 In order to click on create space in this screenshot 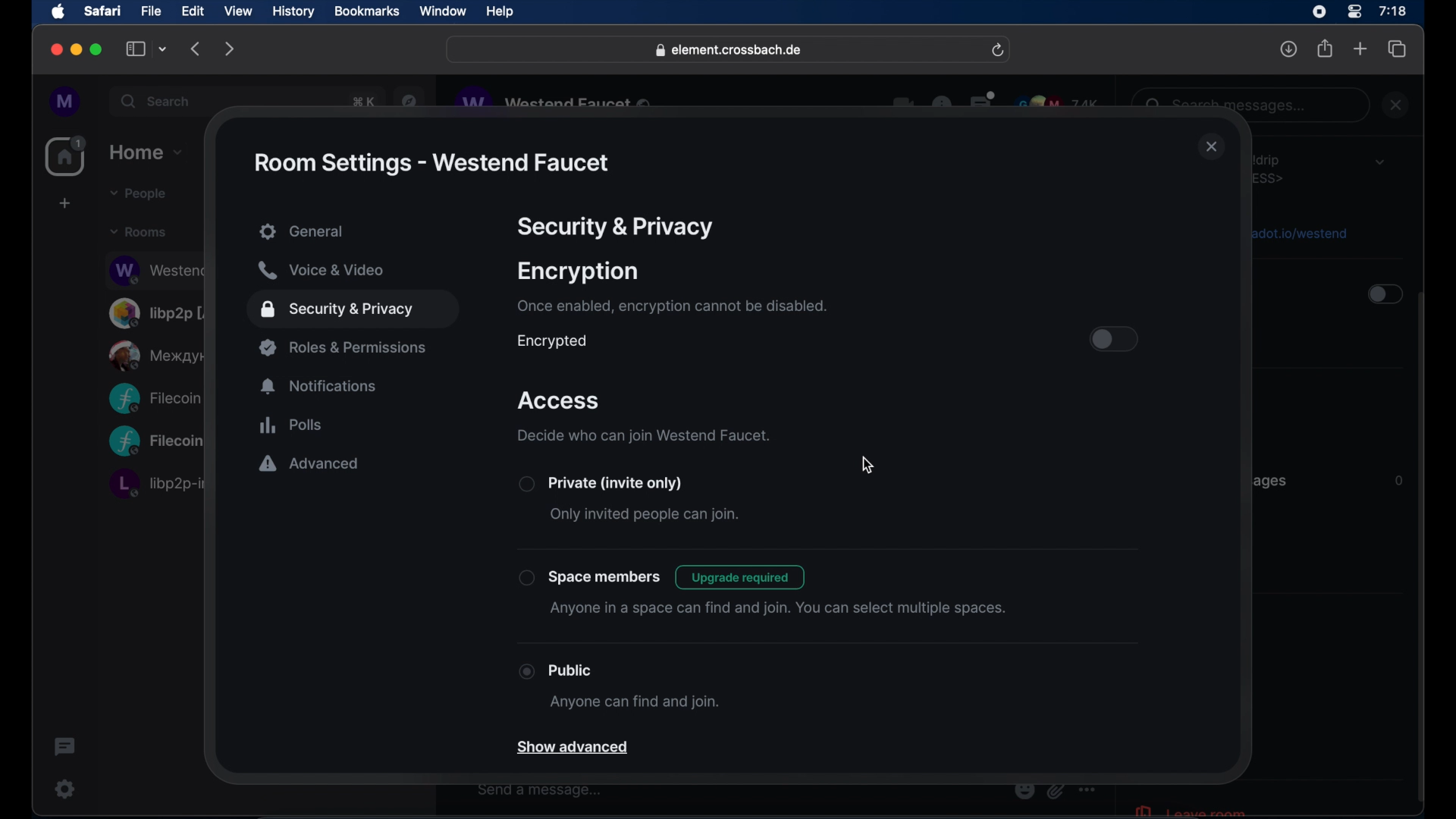, I will do `click(64, 203)`.